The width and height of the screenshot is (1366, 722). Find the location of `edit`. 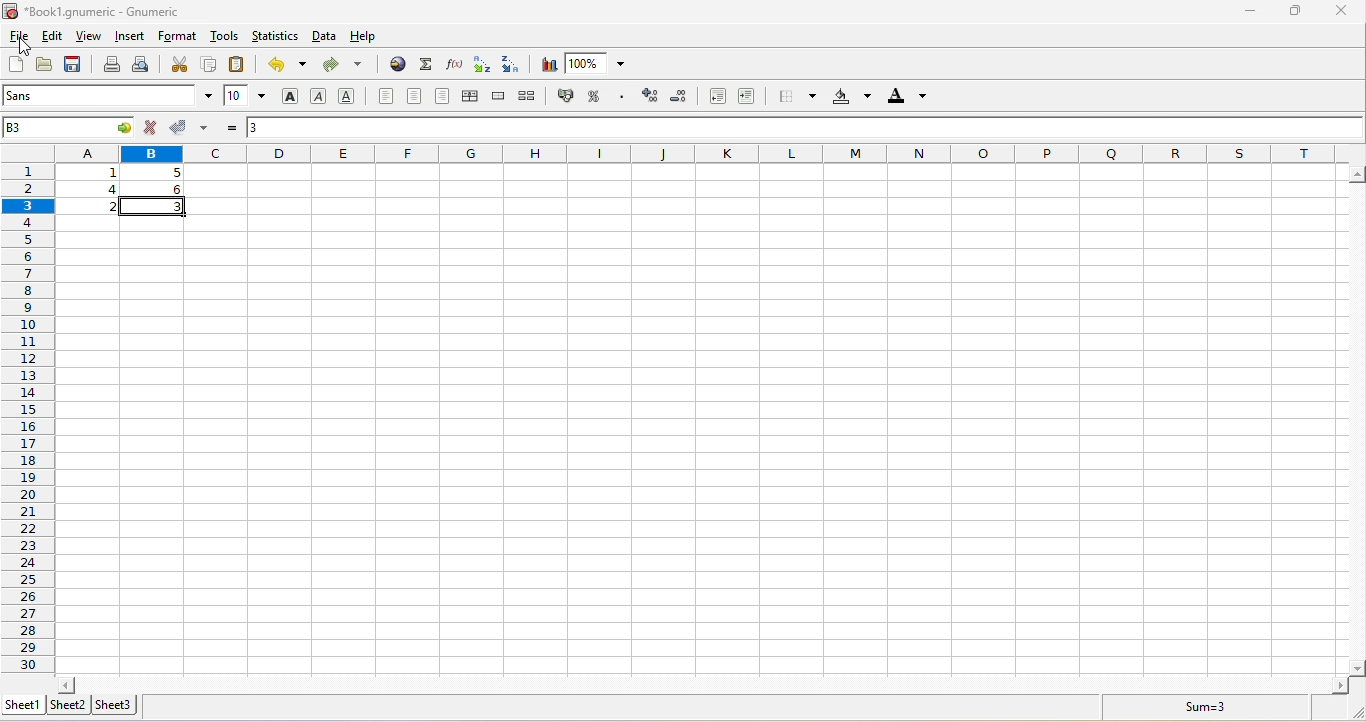

edit is located at coordinates (53, 38).